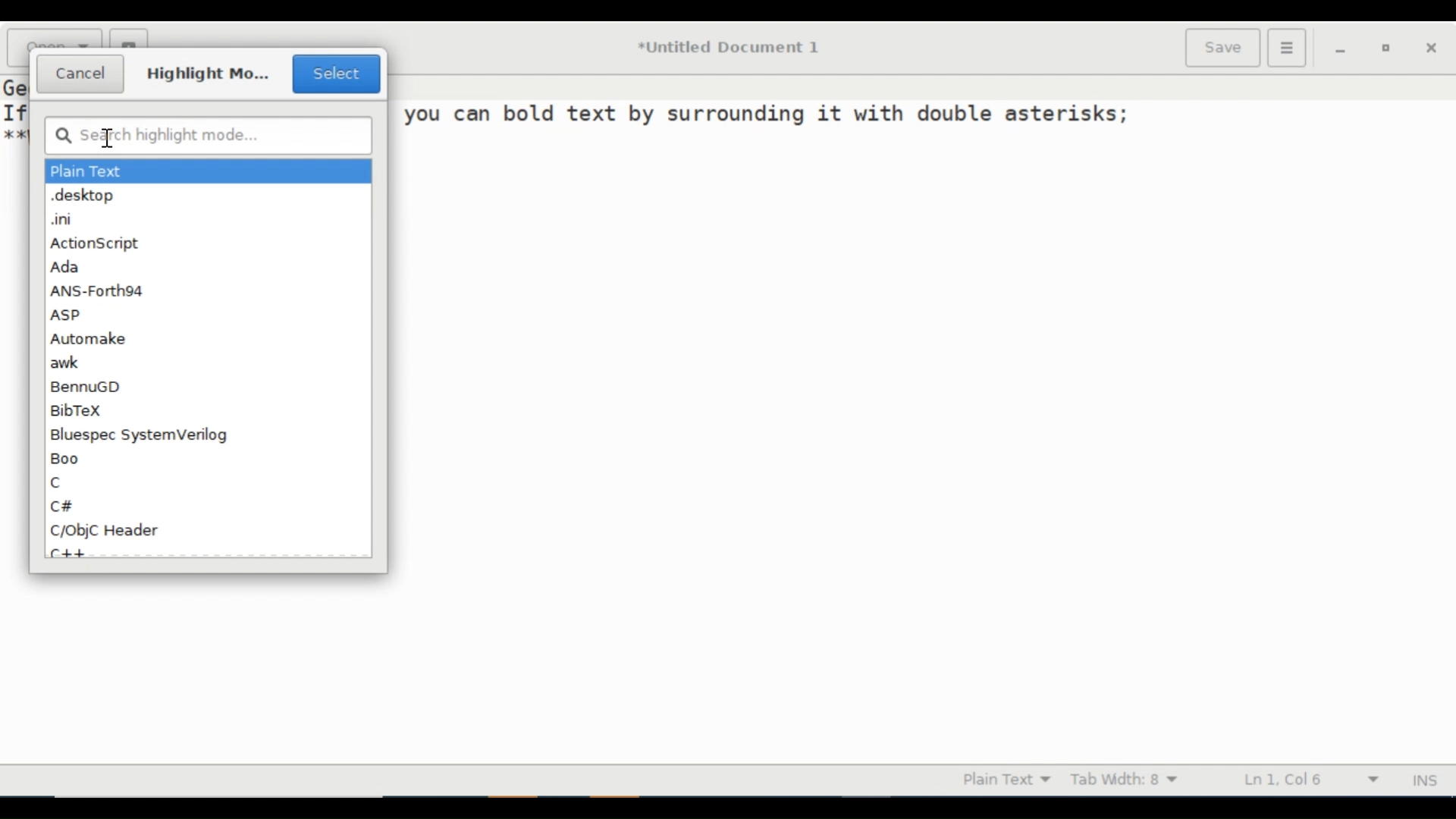  What do you see at coordinates (90, 339) in the screenshot?
I see `Automake` at bounding box center [90, 339].